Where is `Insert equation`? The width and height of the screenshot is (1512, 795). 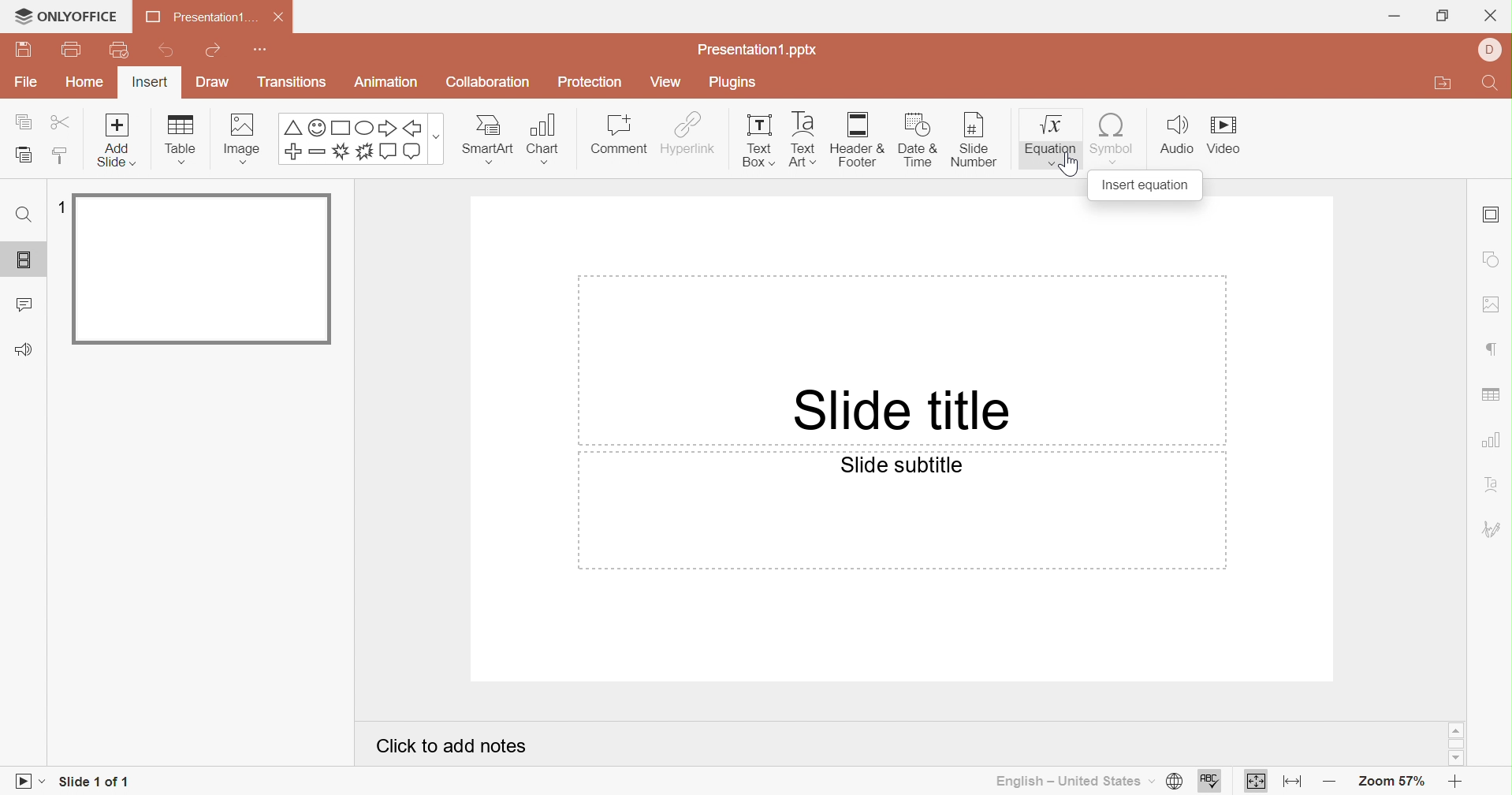 Insert equation is located at coordinates (1143, 187).